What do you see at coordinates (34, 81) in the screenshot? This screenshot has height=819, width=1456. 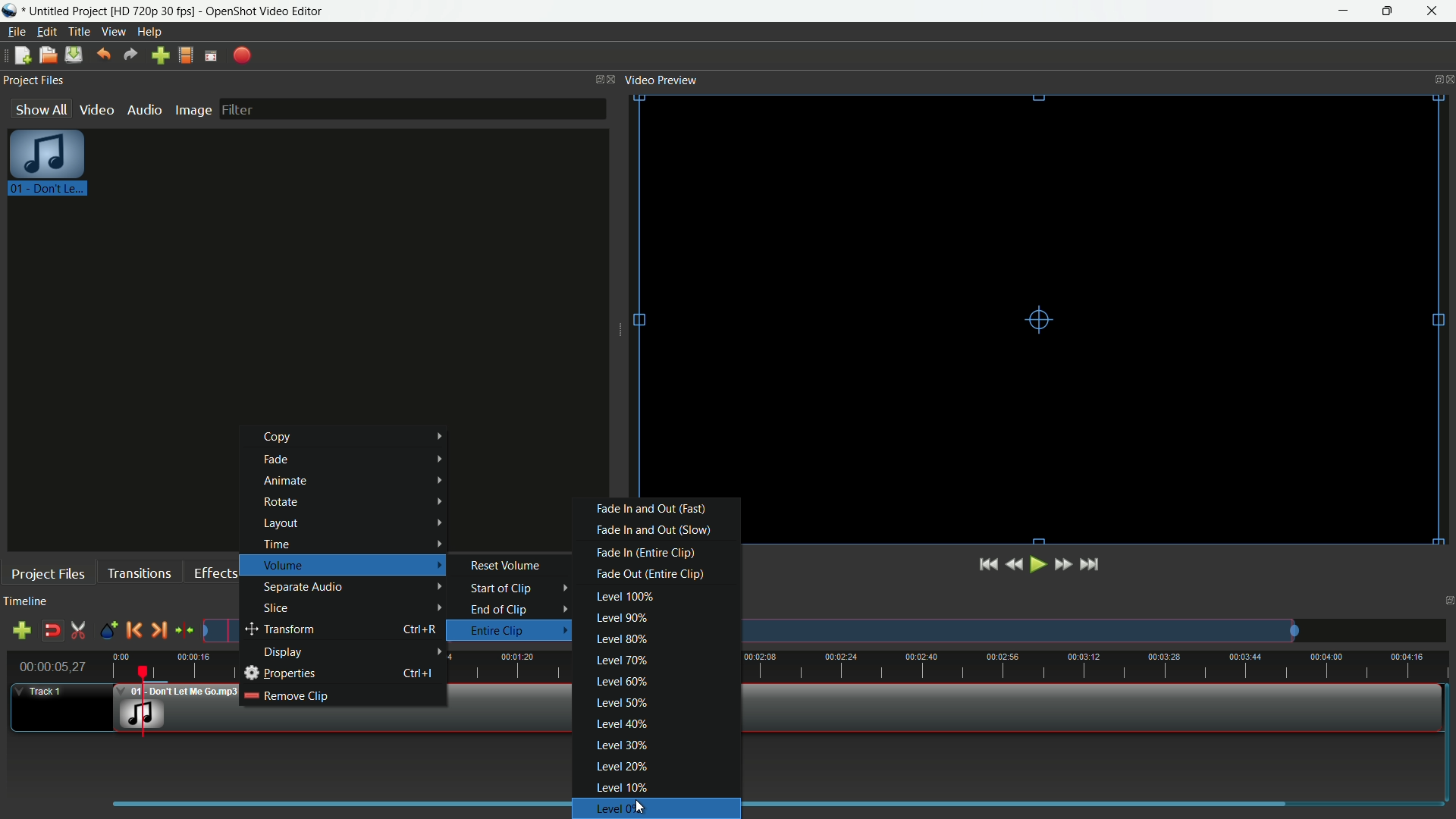 I see `project files` at bounding box center [34, 81].